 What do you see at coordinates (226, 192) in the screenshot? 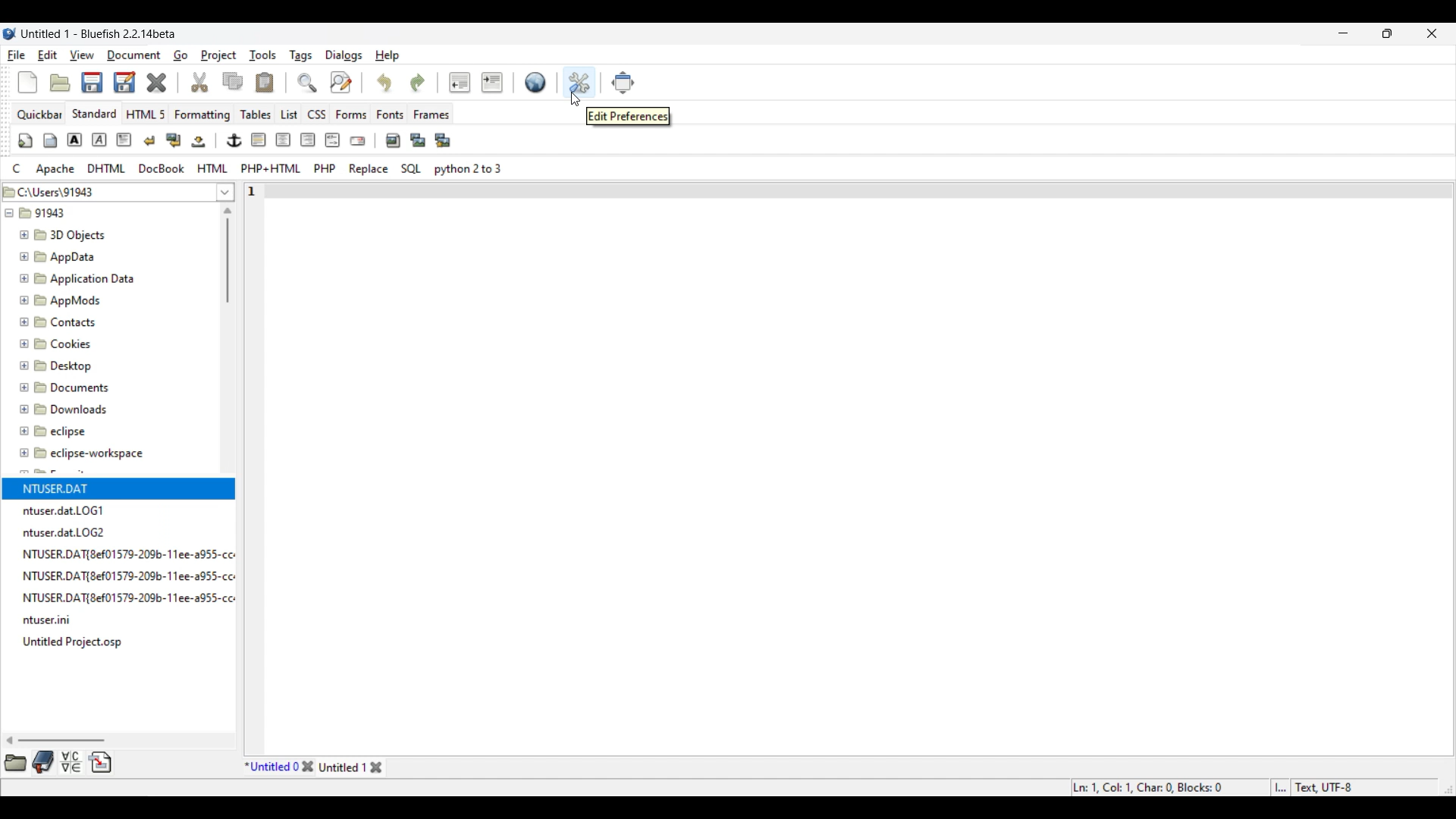
I see `File list` at bounding box center [226, 192].